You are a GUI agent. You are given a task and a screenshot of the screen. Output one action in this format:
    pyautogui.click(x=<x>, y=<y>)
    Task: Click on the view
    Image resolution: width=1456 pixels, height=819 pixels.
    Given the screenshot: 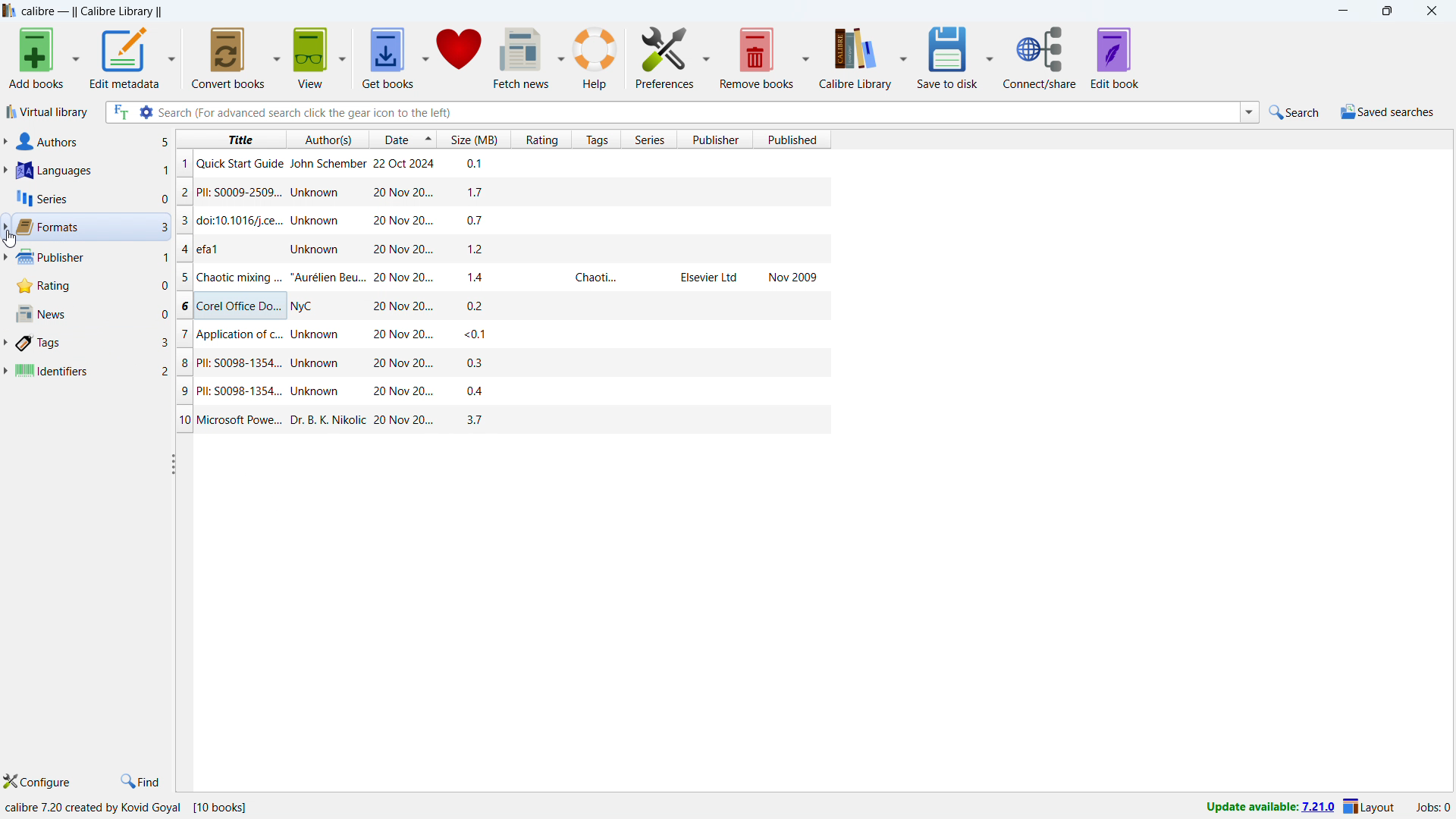 What is the action you would take?
    pyautogui.click(x=312, y=58)
    